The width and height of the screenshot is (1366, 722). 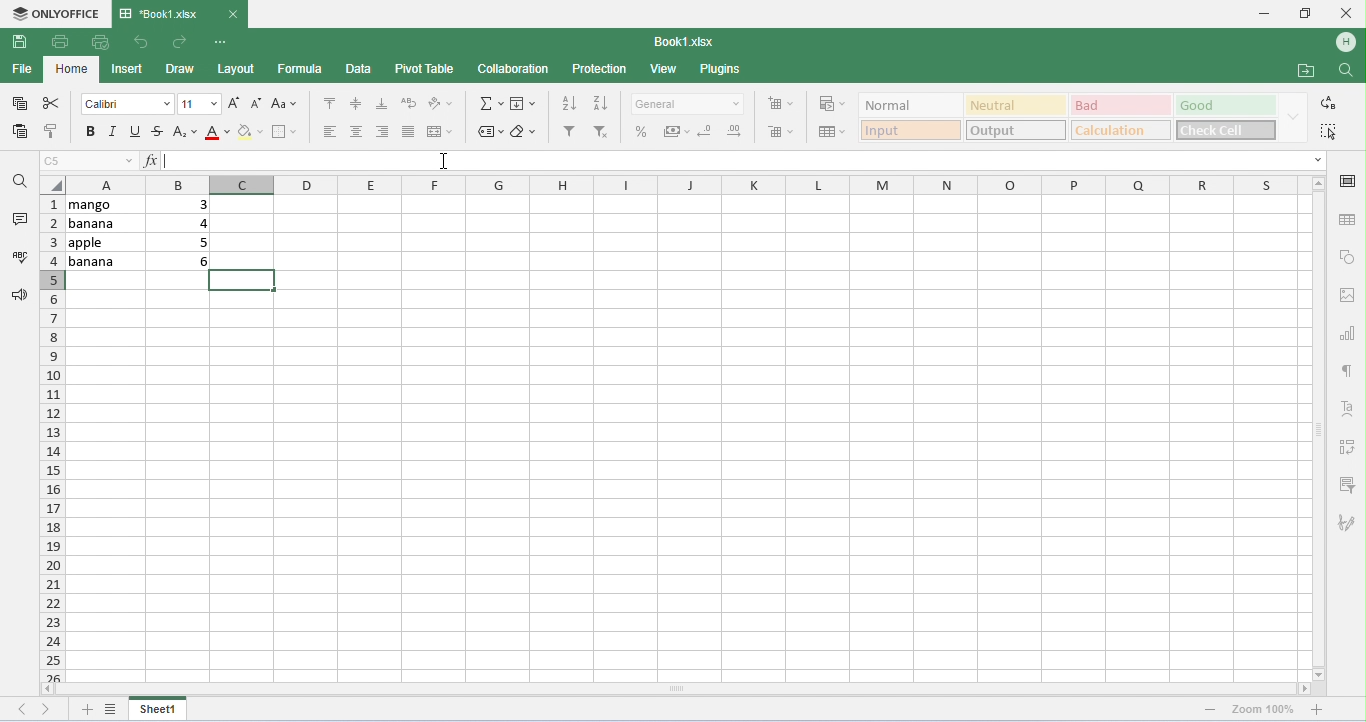 What do you see at coordinates (705, 130) in the screenshot?
I see `decrease decimal` at bounding box center [705, 130].